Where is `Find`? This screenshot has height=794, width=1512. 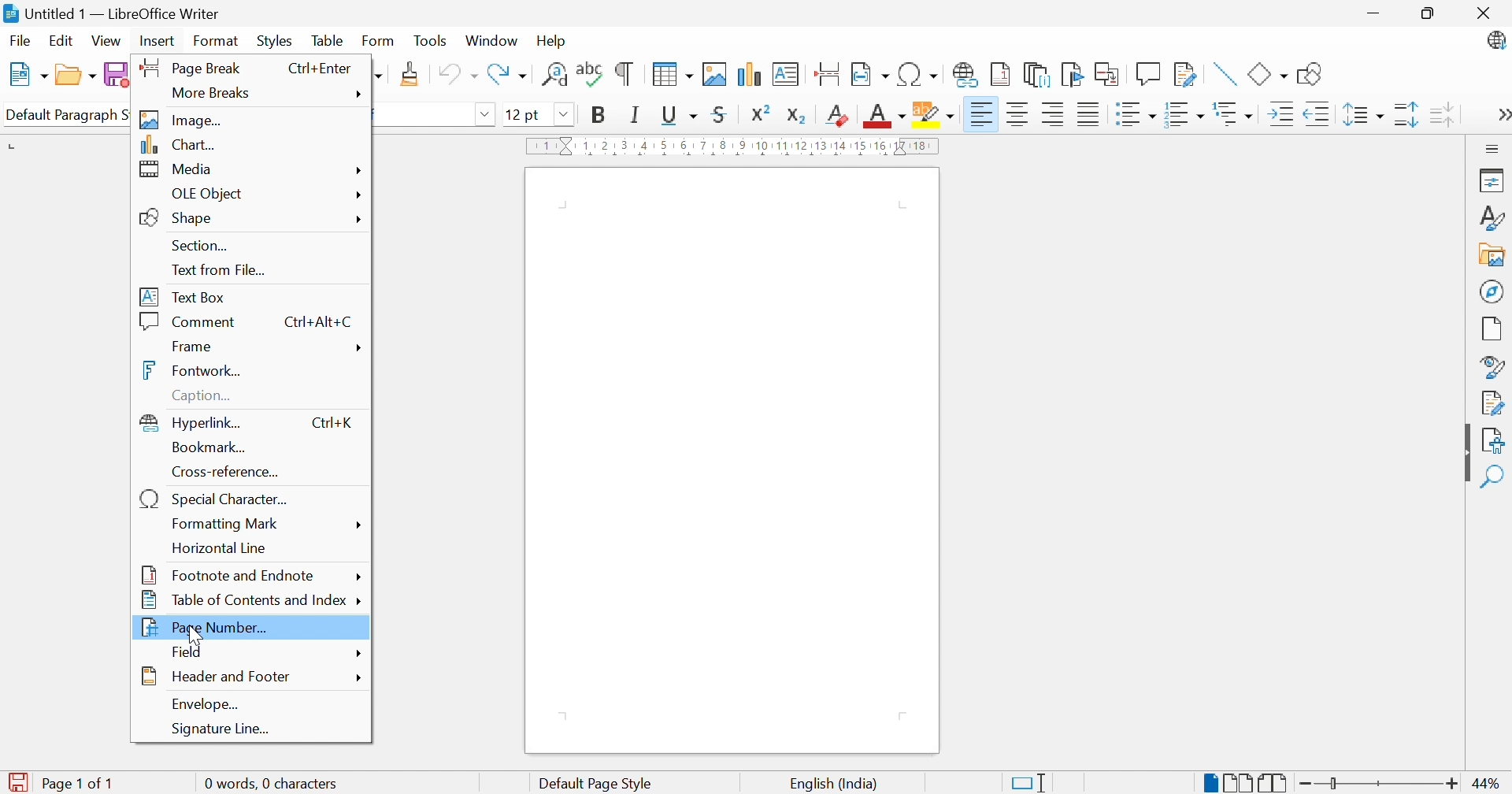 Find is located at coordinates (1494, 478).